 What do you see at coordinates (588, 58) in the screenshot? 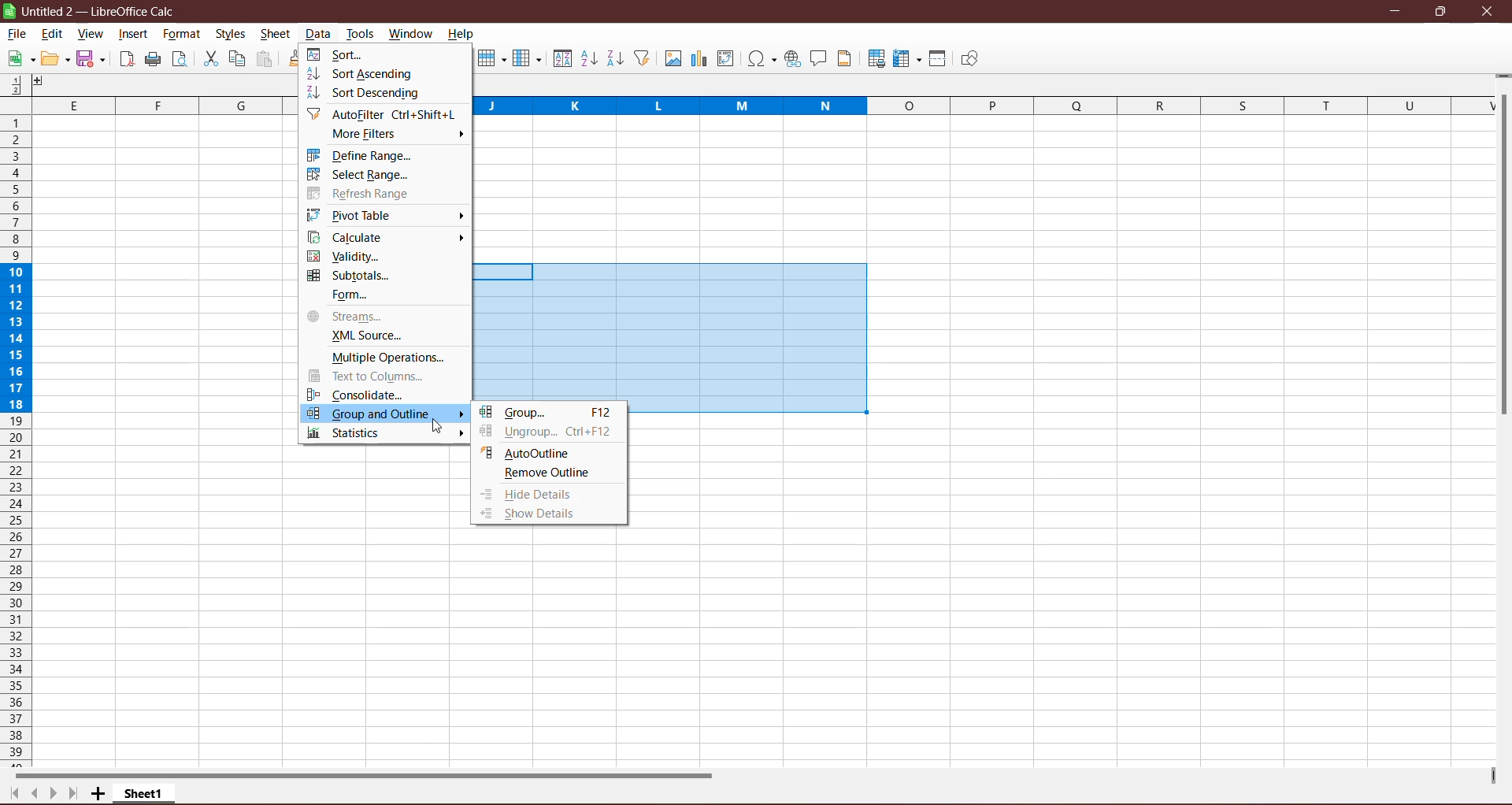
I see `Sort  Ascending` at bounding box center [588, 58].